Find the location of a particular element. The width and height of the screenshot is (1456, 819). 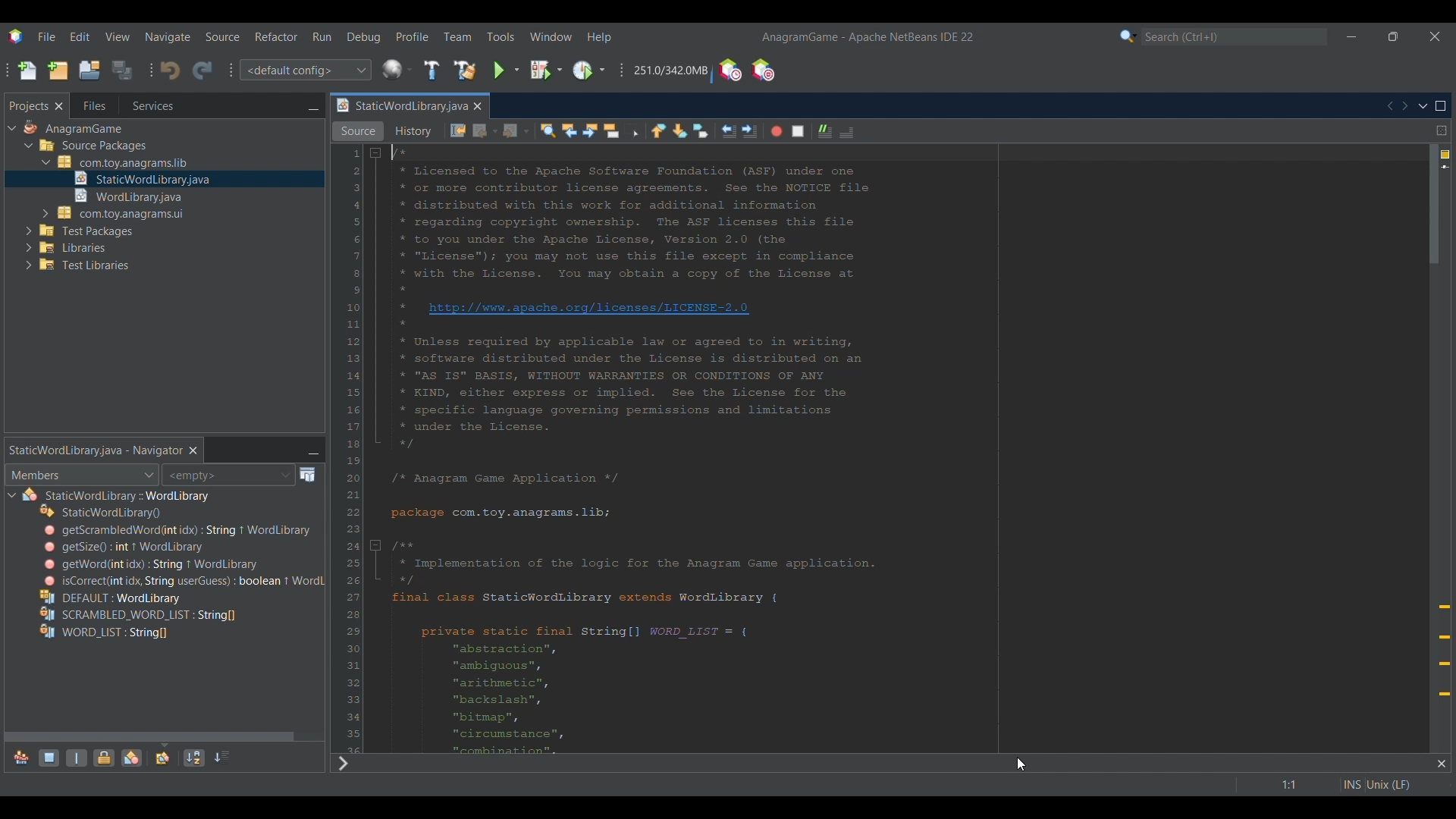

Type in search is located at coordinates (1234, 36).